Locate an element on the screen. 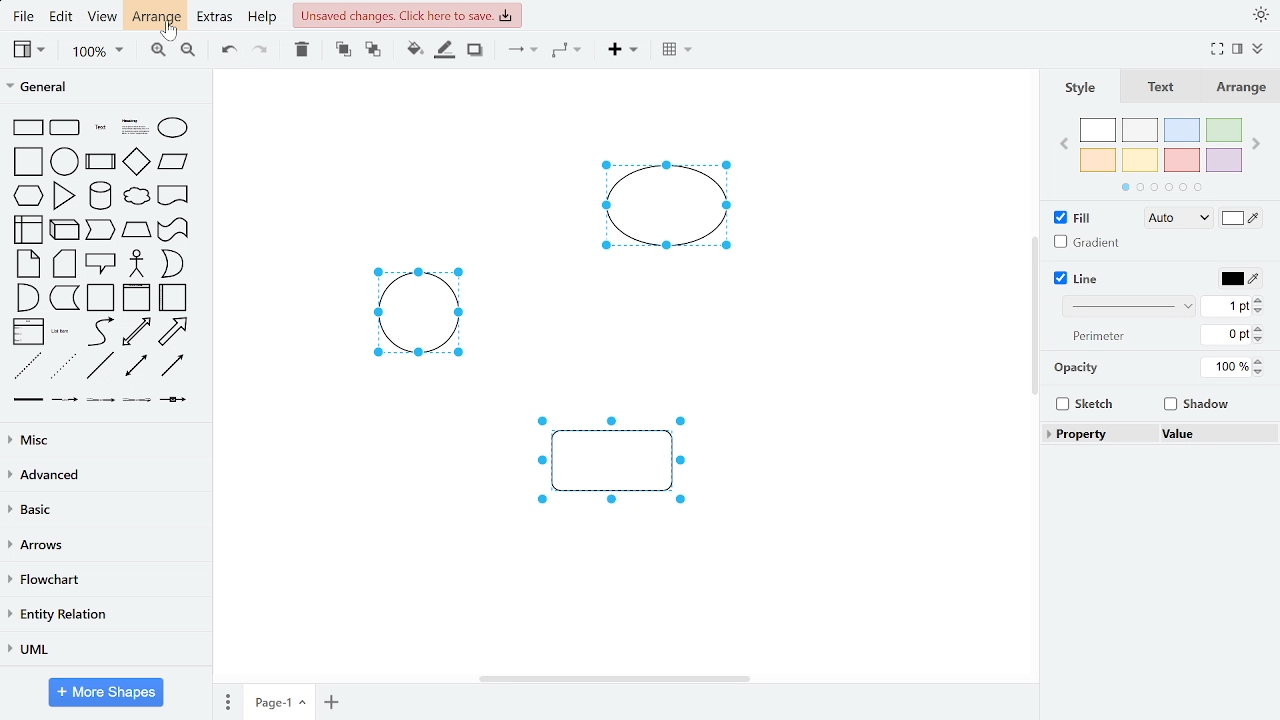 The width and height of the screenshot is (1280, 720). zoom in is located at coordinates (159, 51).